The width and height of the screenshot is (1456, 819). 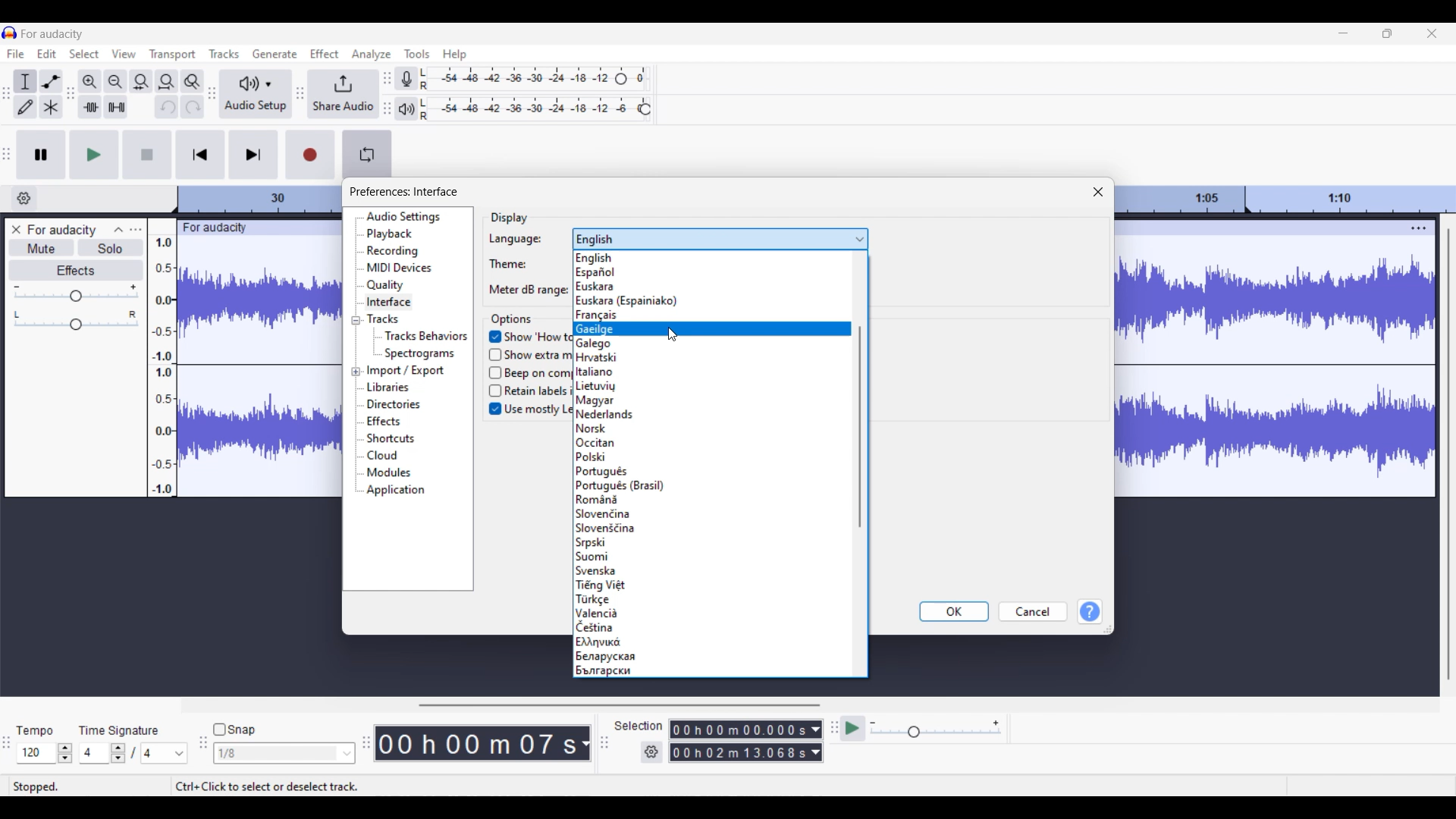 What do you see at coordinates (599, 258) in the screenshot?
I see `English` at bounding box center [599, 258].